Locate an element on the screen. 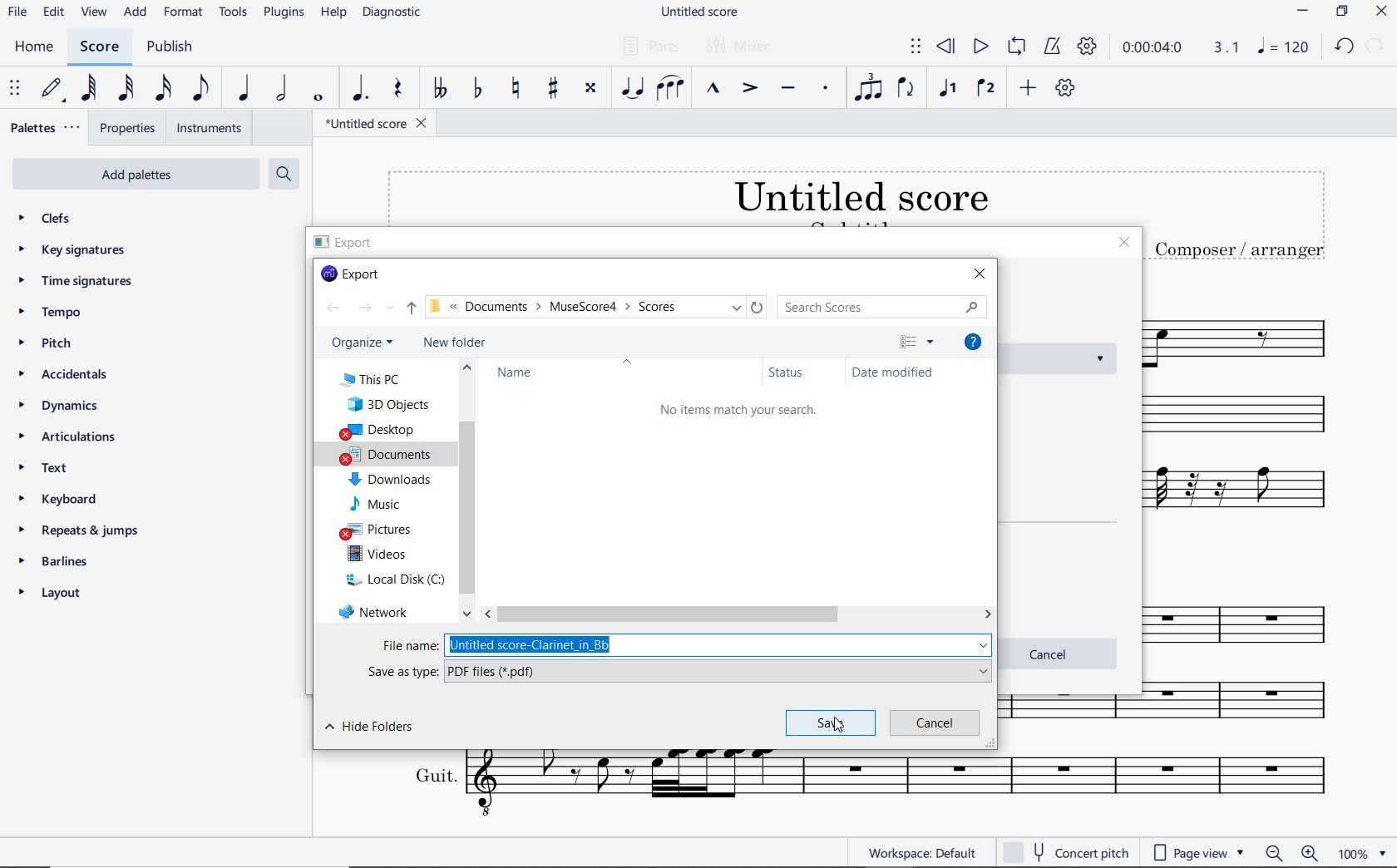 The width and height of the screenshot is (1397, 868). EXPORT is located at coordinates (358, 273).